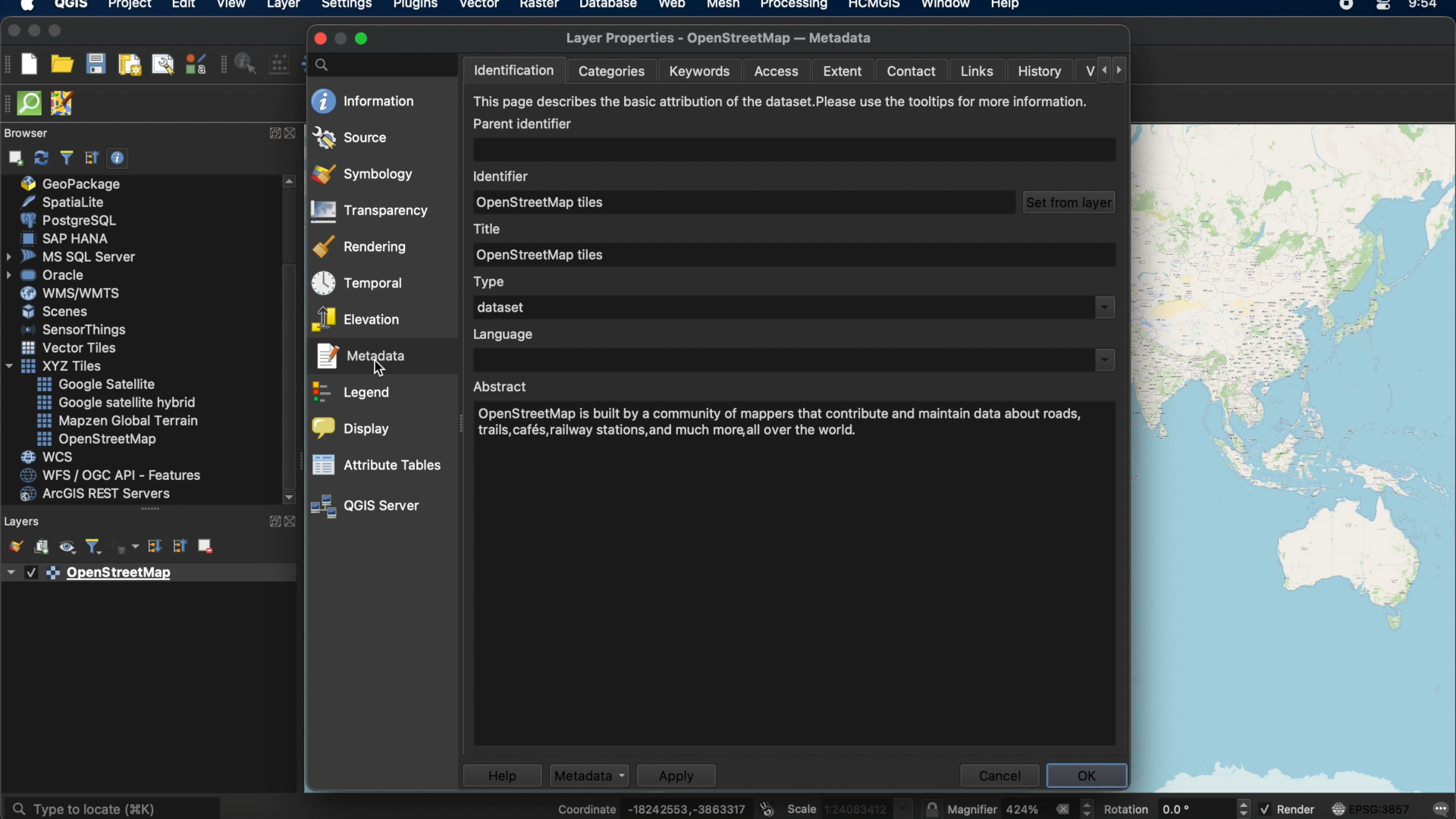 This screenshot has width=1456, height=819. What do you see at coordinates (289, 341) in the screenshot?
I see `SCROLLBAR` at bounding box center [289, 341].